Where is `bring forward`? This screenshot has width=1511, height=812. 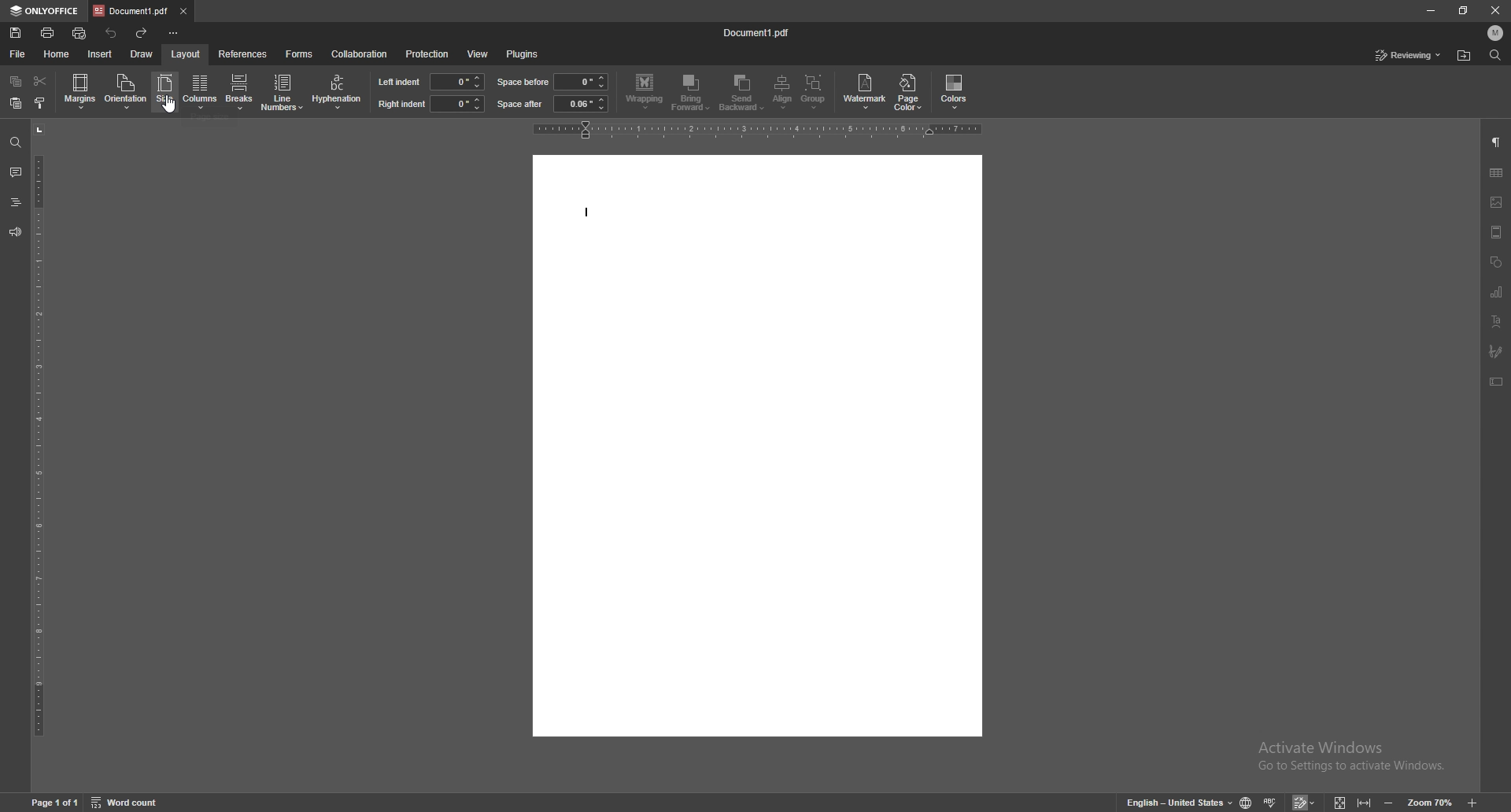
bring forward is located at coordinates (692, 94).